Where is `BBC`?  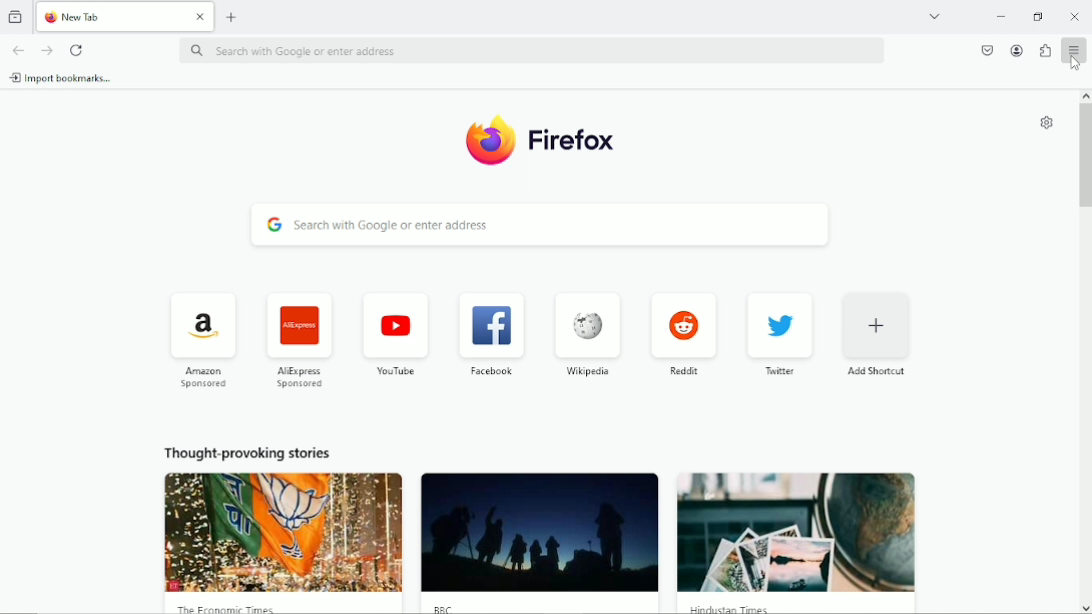
BBC is located at coordinates (446, 607).